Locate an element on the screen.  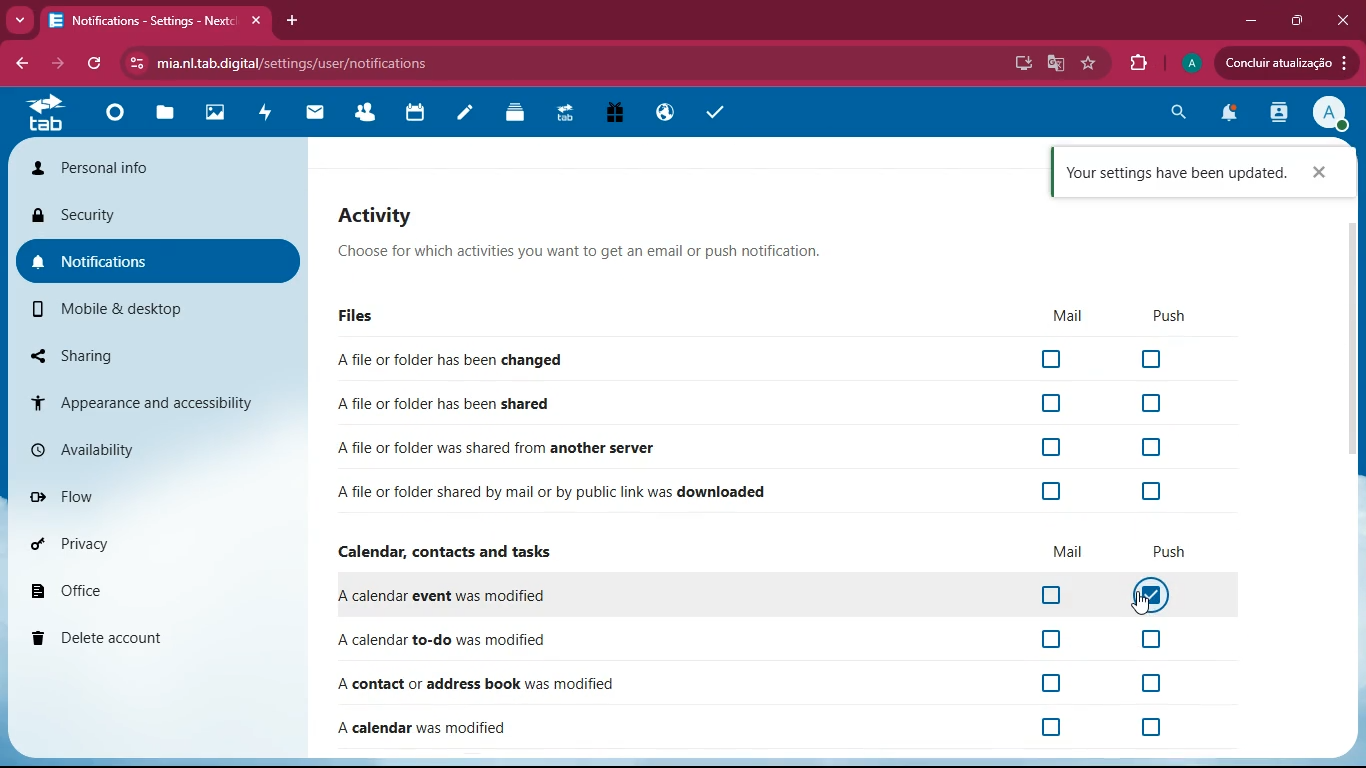
appearance and accessibility is located at coordinates (156, 401).